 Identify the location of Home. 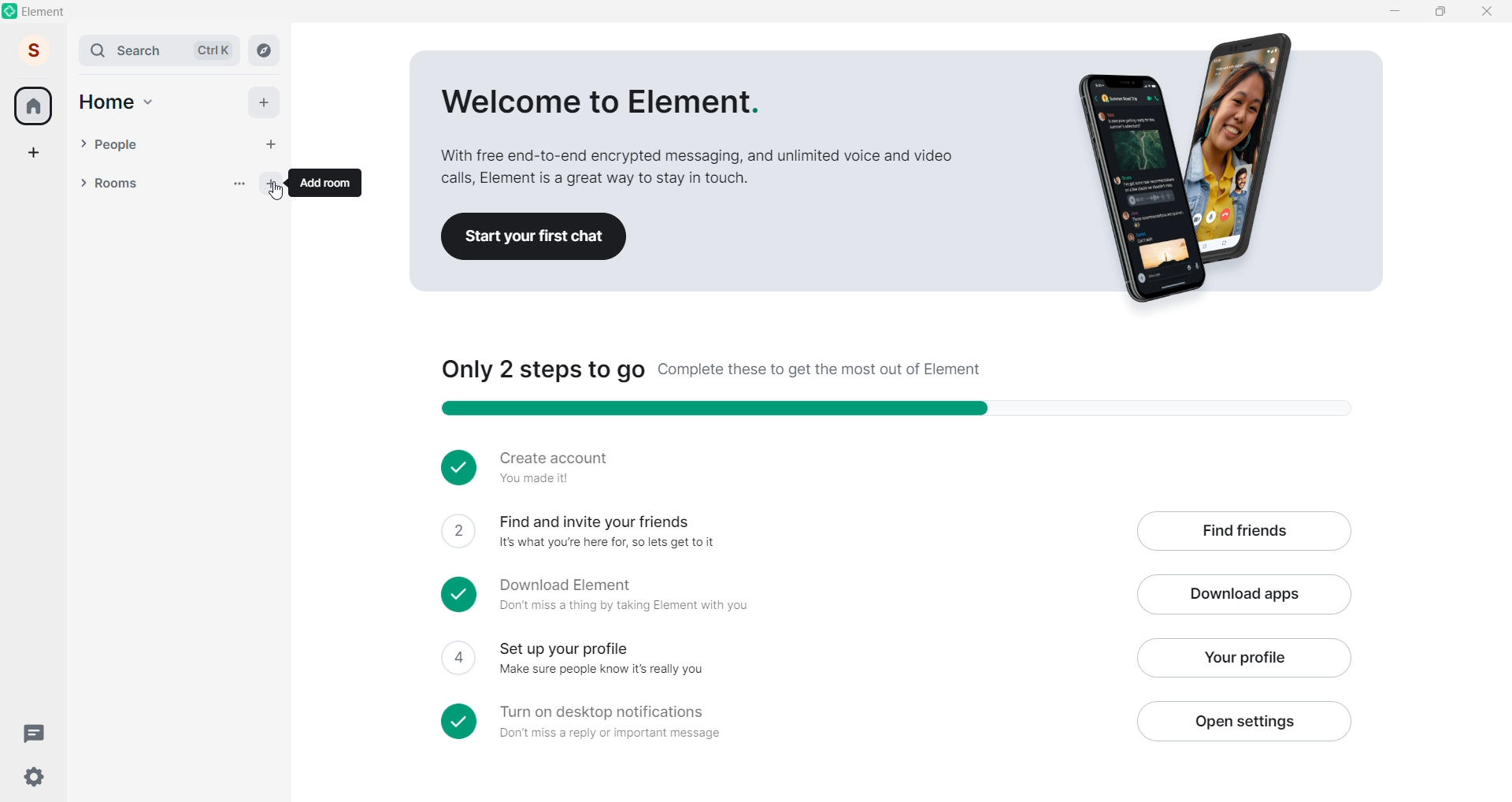
(106, 102).